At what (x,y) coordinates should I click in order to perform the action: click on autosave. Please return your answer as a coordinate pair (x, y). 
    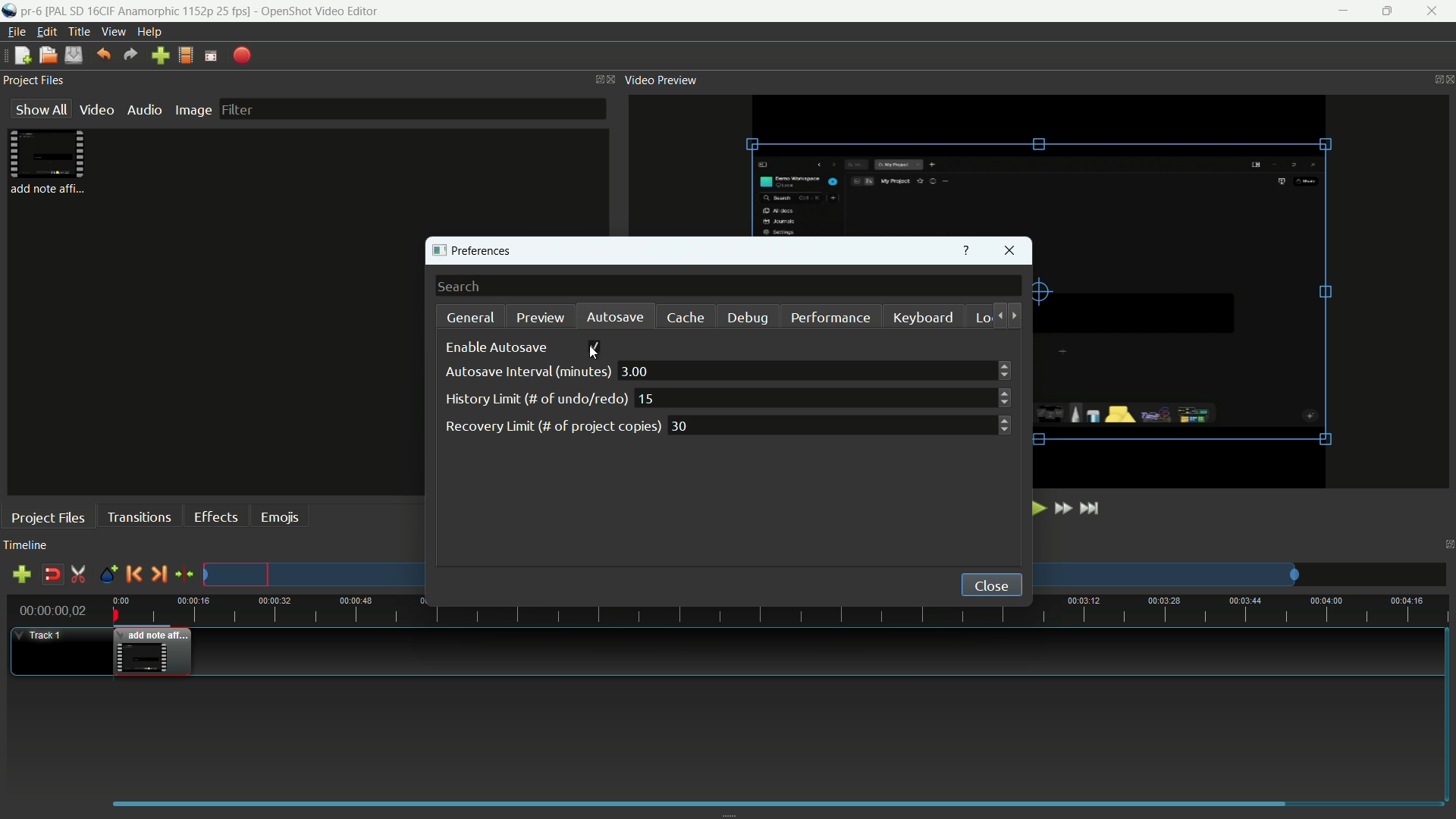
    Looking at the image, I should click on (616, 318).